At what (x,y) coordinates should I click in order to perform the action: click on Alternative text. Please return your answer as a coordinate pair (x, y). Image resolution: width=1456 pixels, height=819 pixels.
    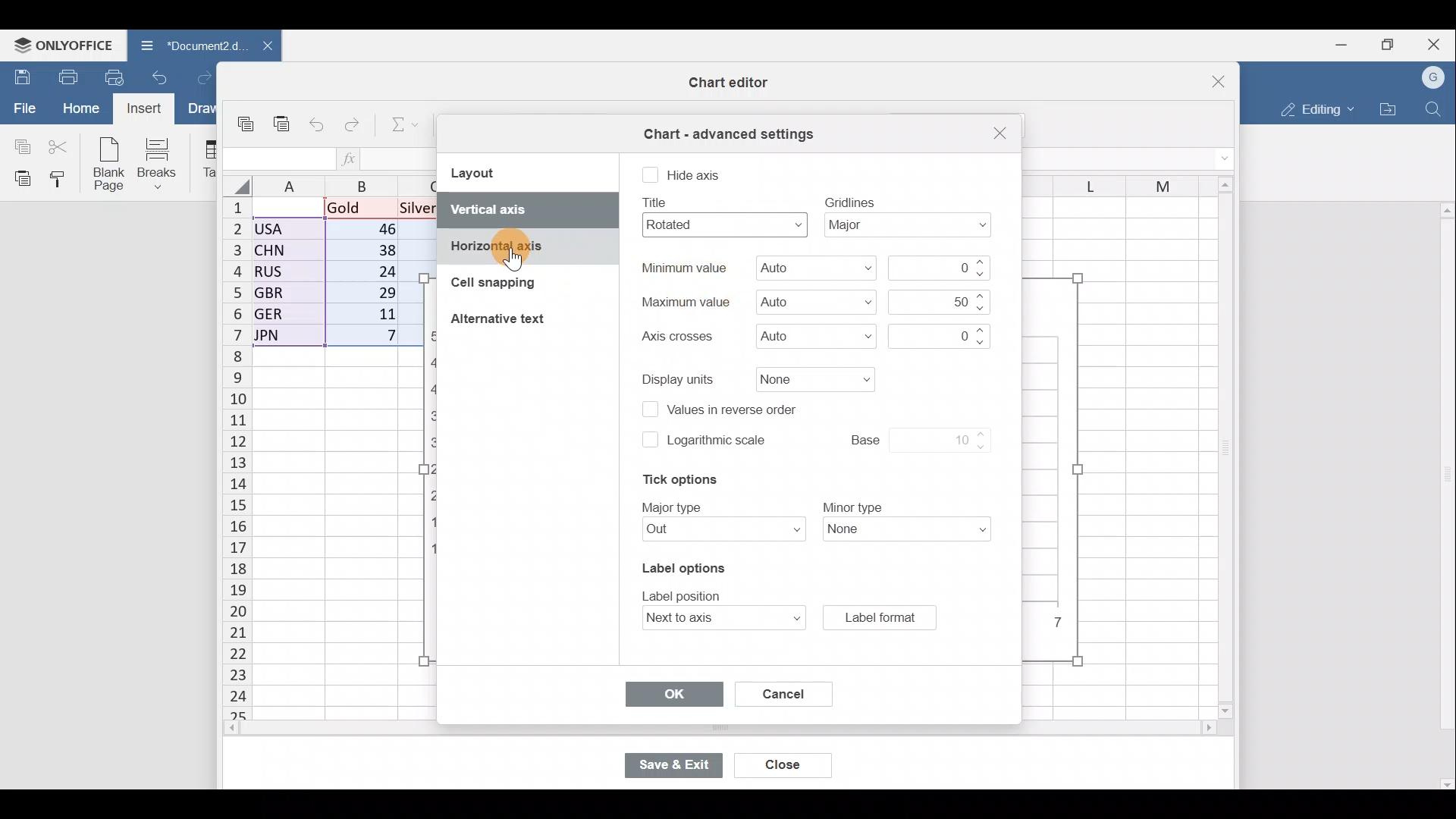
    Looking at the image, I should click on (502, 322).